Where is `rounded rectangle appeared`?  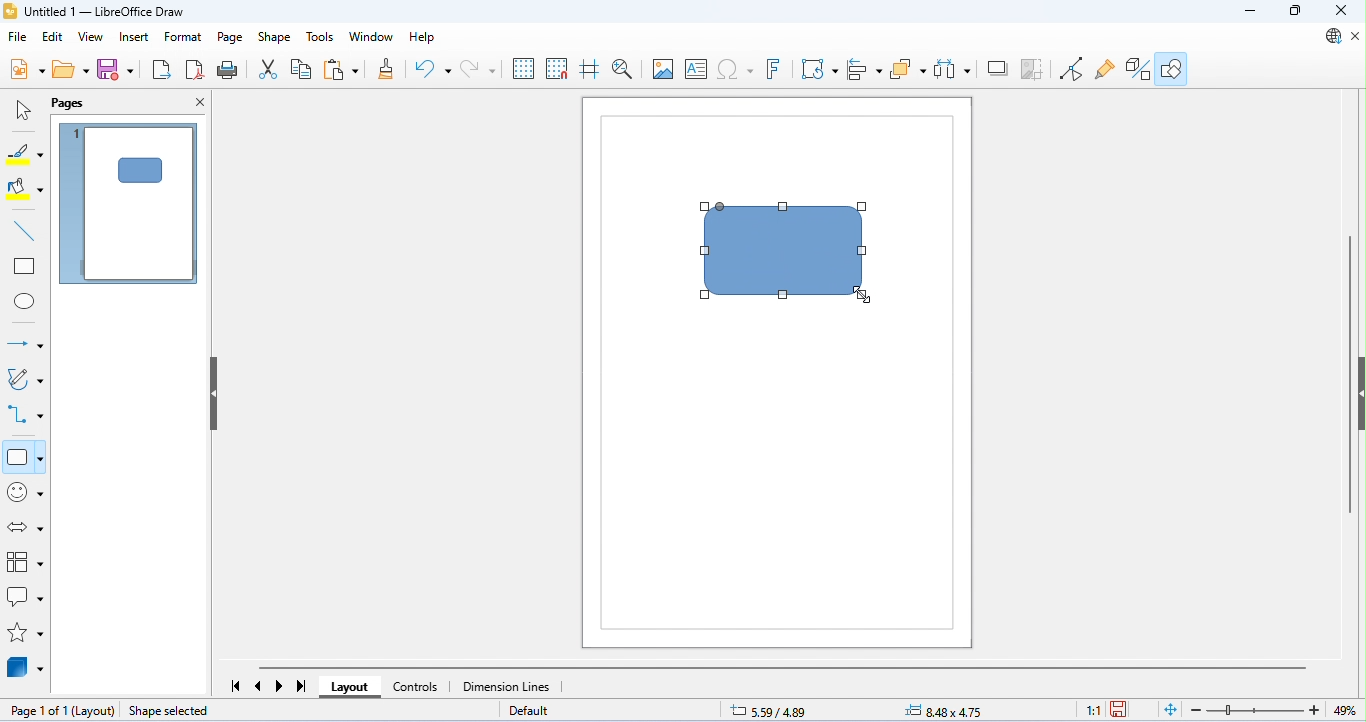
rounded rectangle appeared is located at coordinates (786, 253).